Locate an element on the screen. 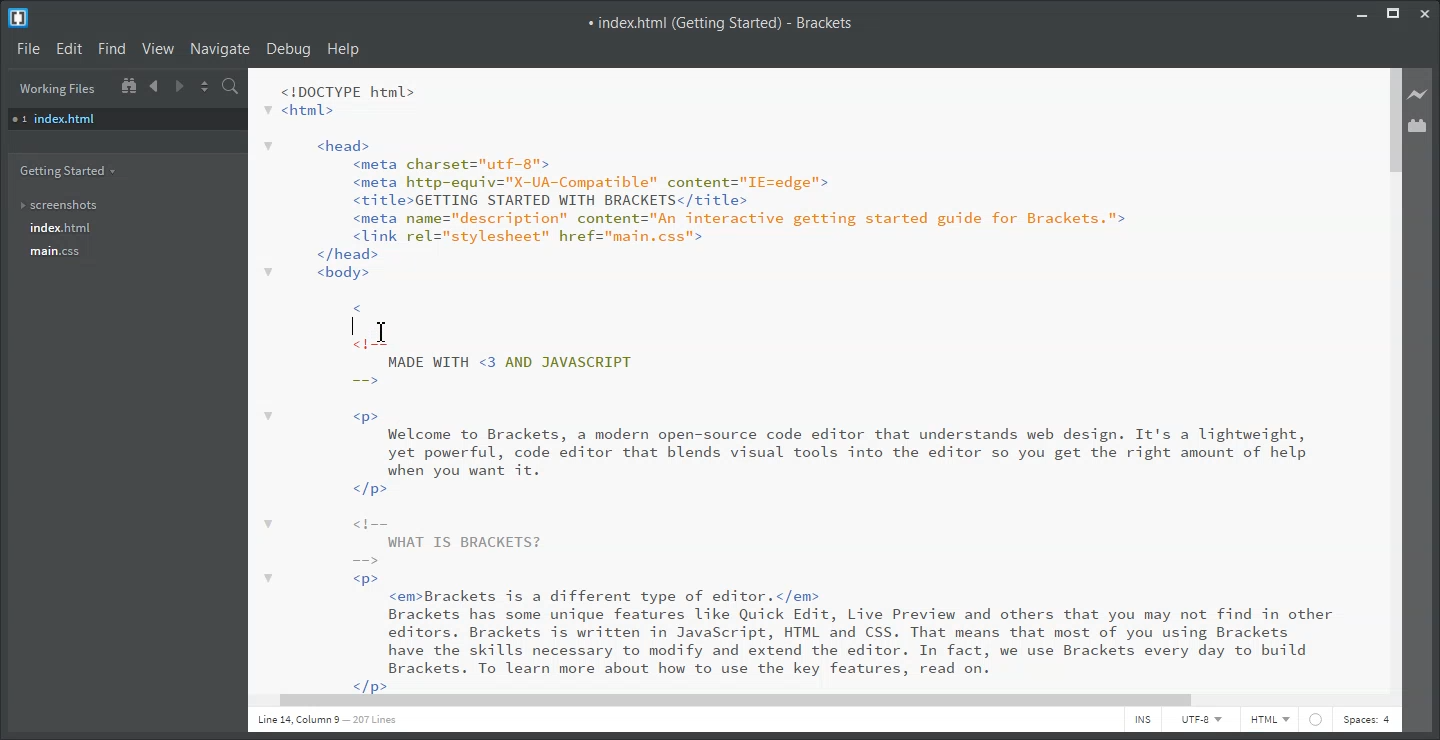 The height and width of the screenshot is (740, 1440). Live Preview is located at coordinates (1421, 94).